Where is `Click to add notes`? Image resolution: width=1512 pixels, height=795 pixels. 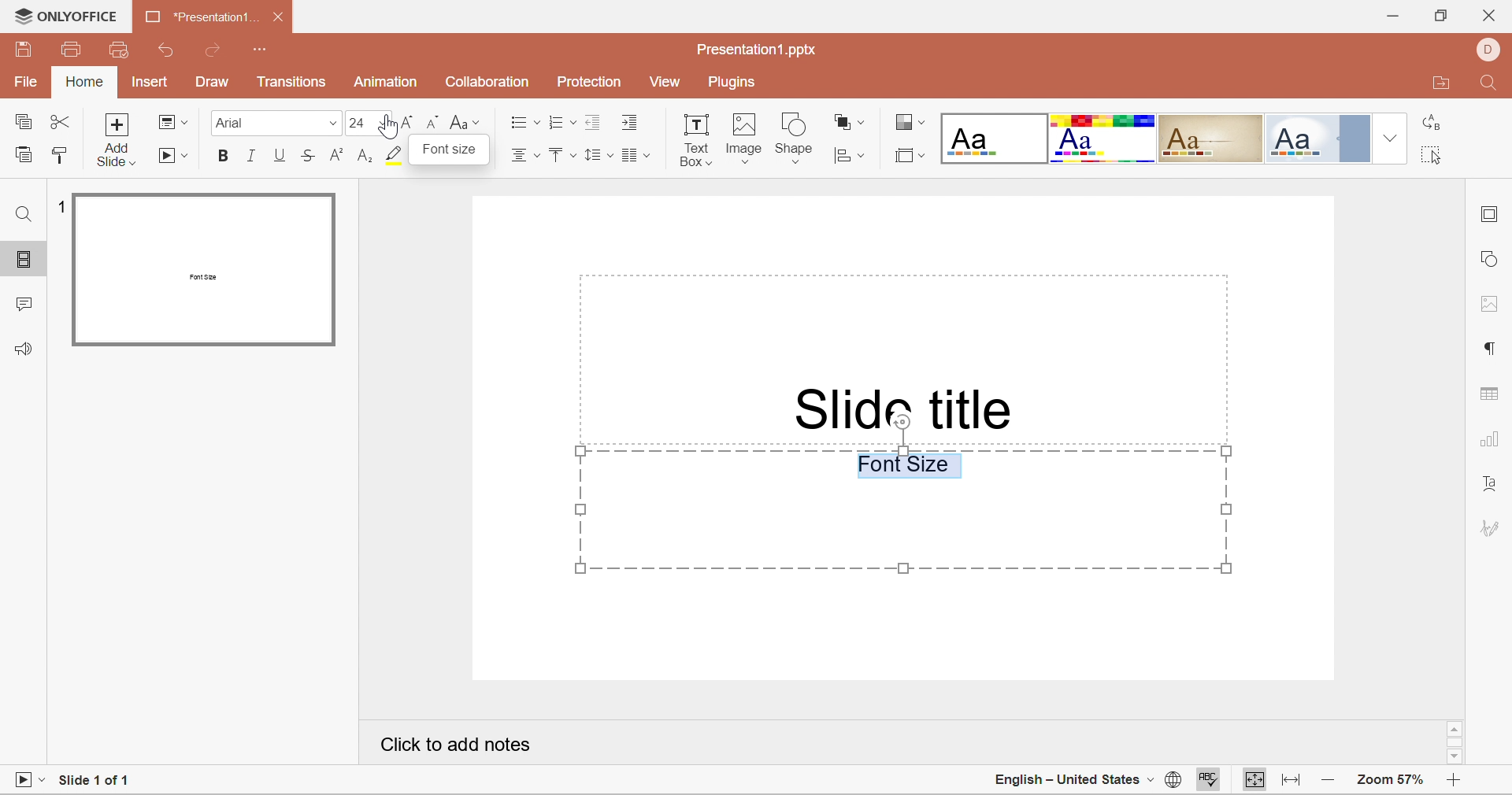 Click to add notes is located at coordinates (455, 745).